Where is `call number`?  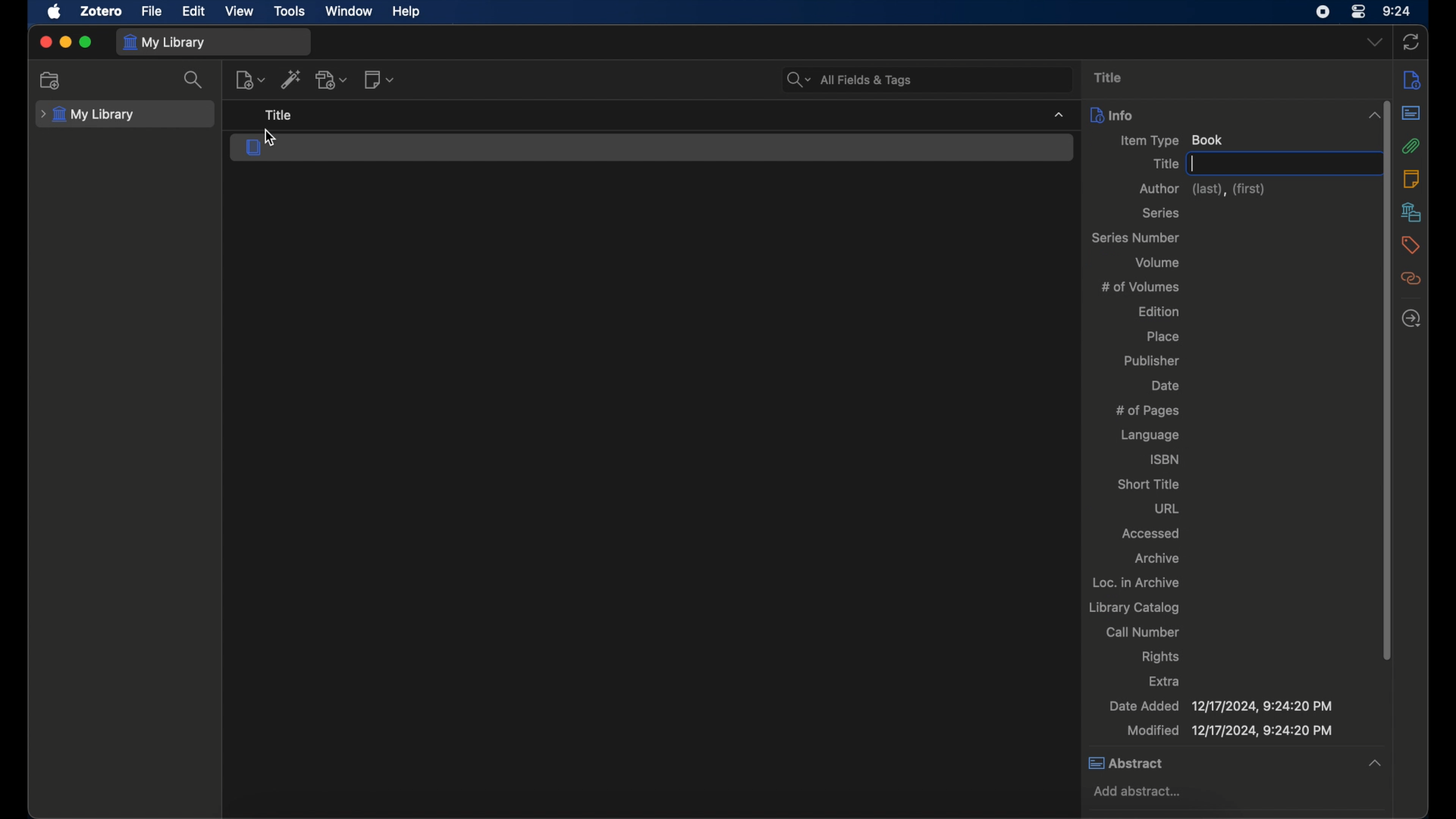 call number is located at coordinates (1143, 632).